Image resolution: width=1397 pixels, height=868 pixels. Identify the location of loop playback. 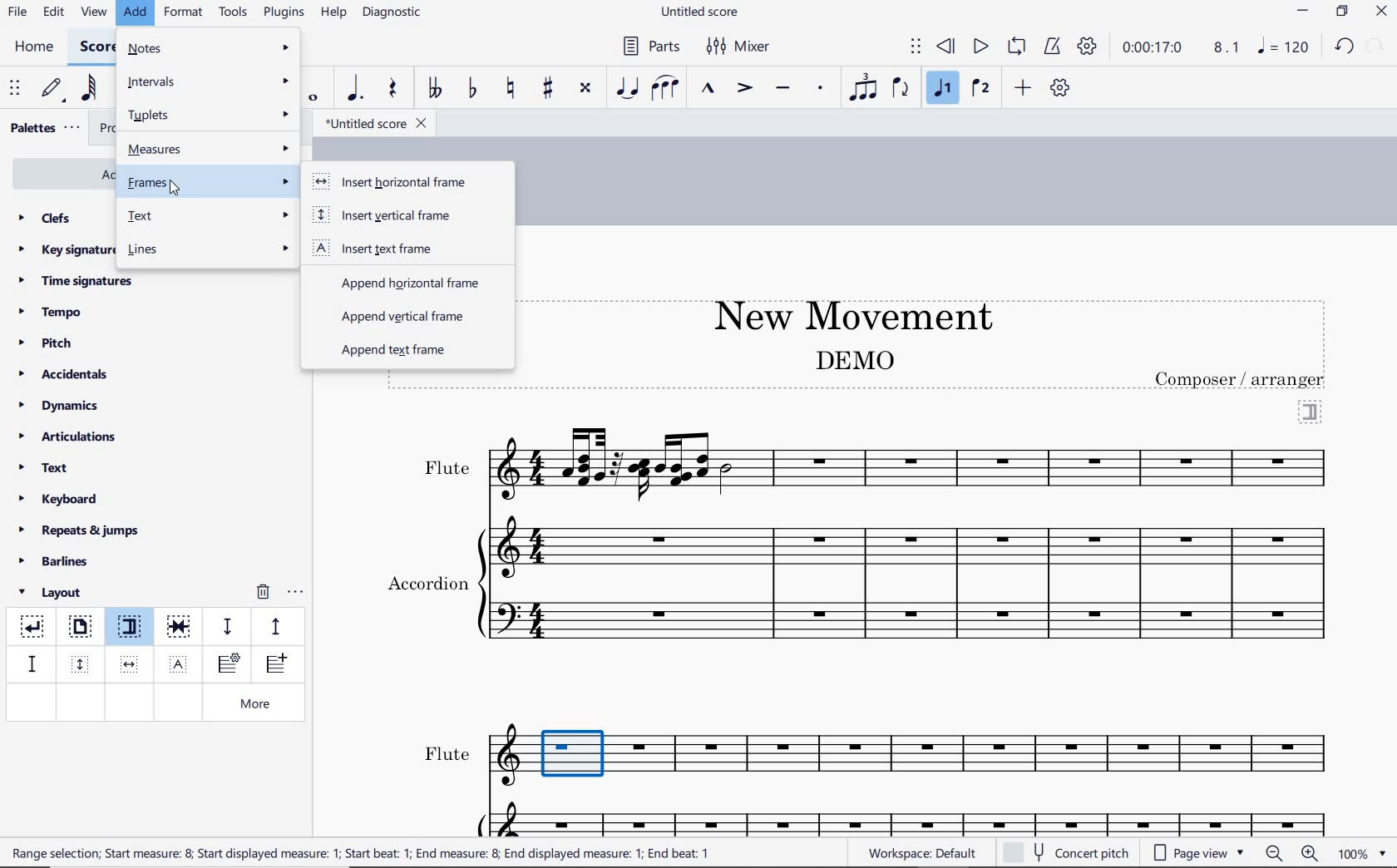
(1019, 47).